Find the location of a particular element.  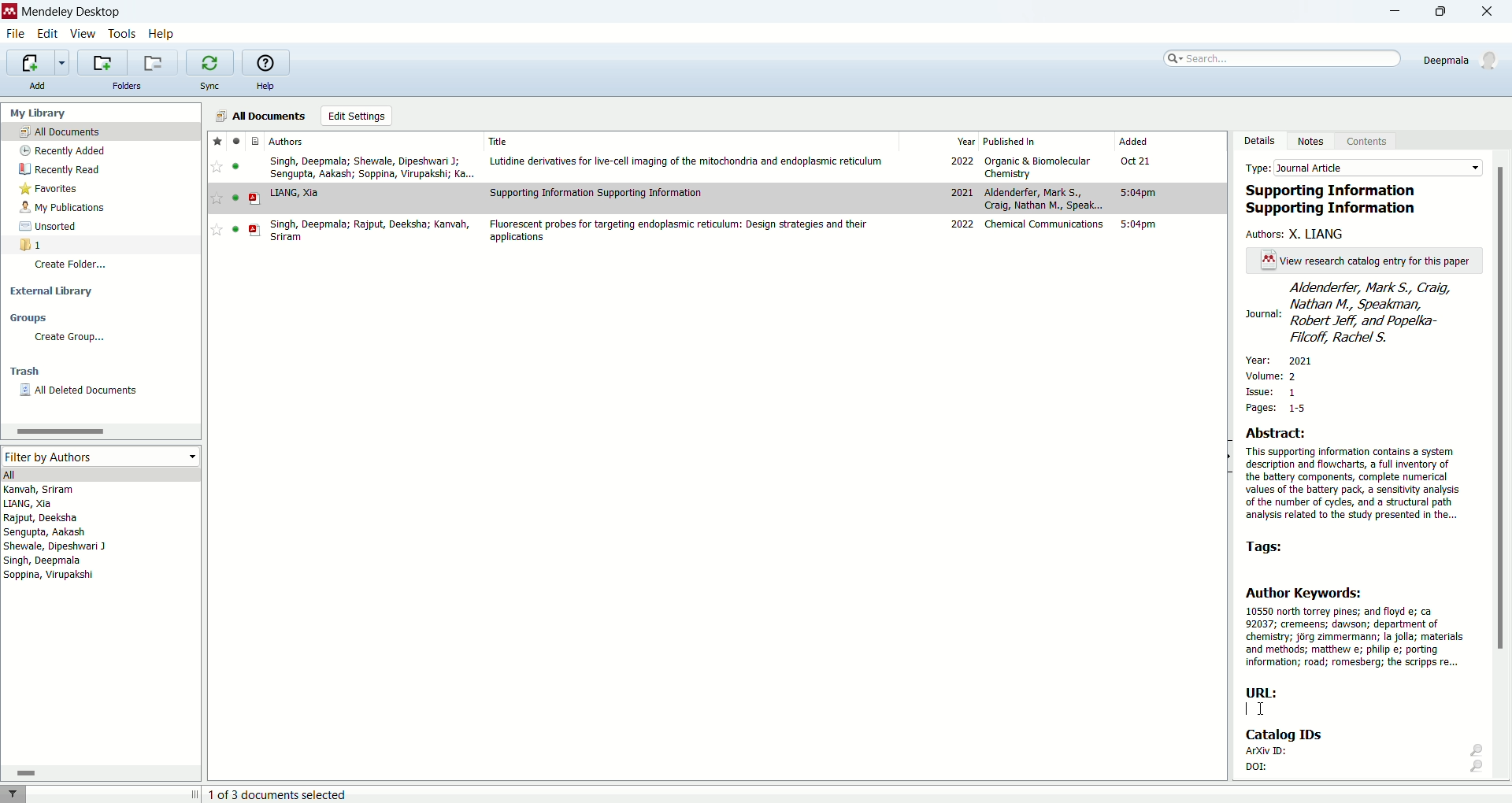

help is located at coordinates (161, 35).